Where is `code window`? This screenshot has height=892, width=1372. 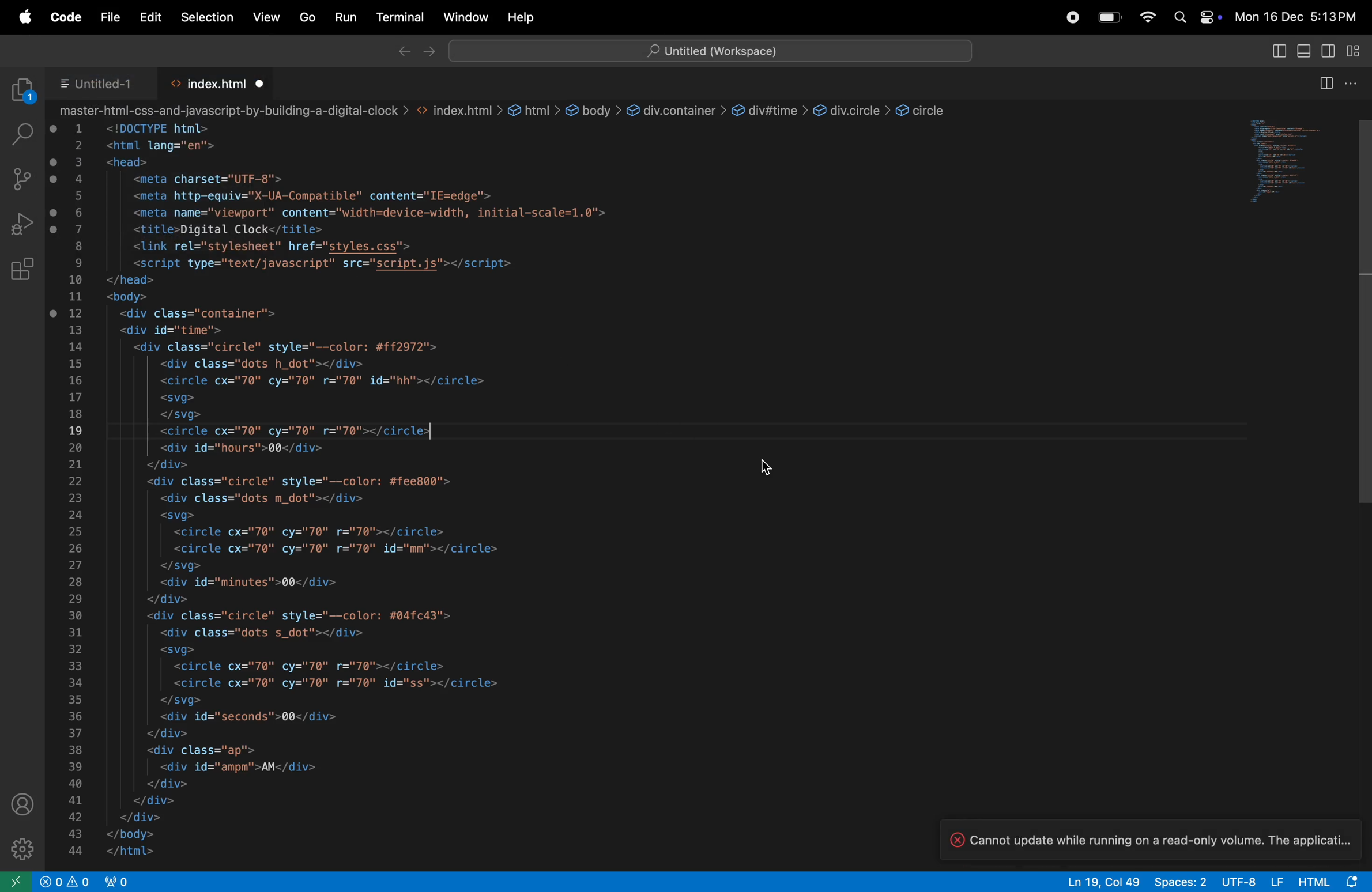 code window is located at coordinates (1285, 162).